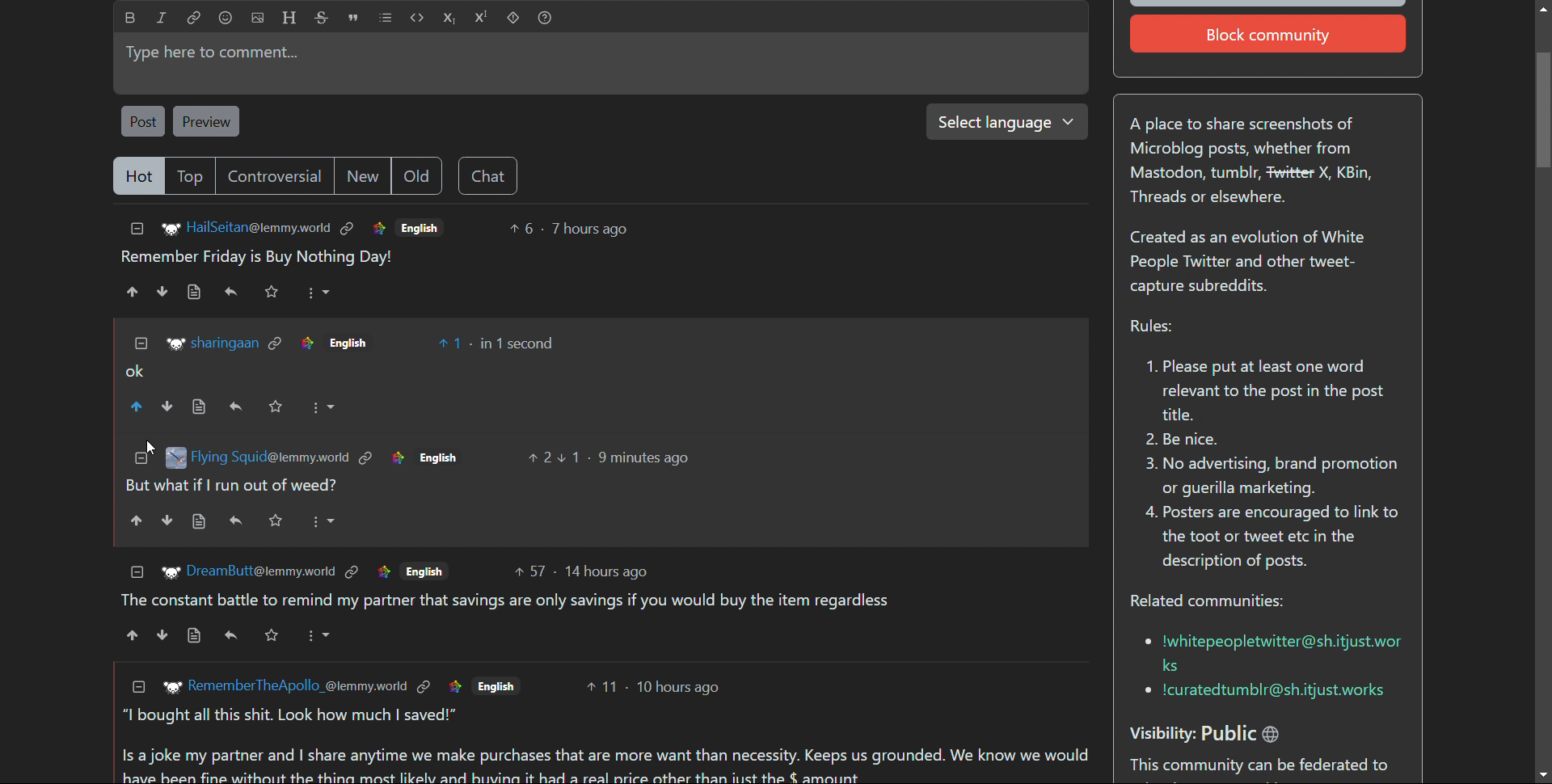 The image size is (1552, 784). I want to click on time of posting, so click(681, 689).